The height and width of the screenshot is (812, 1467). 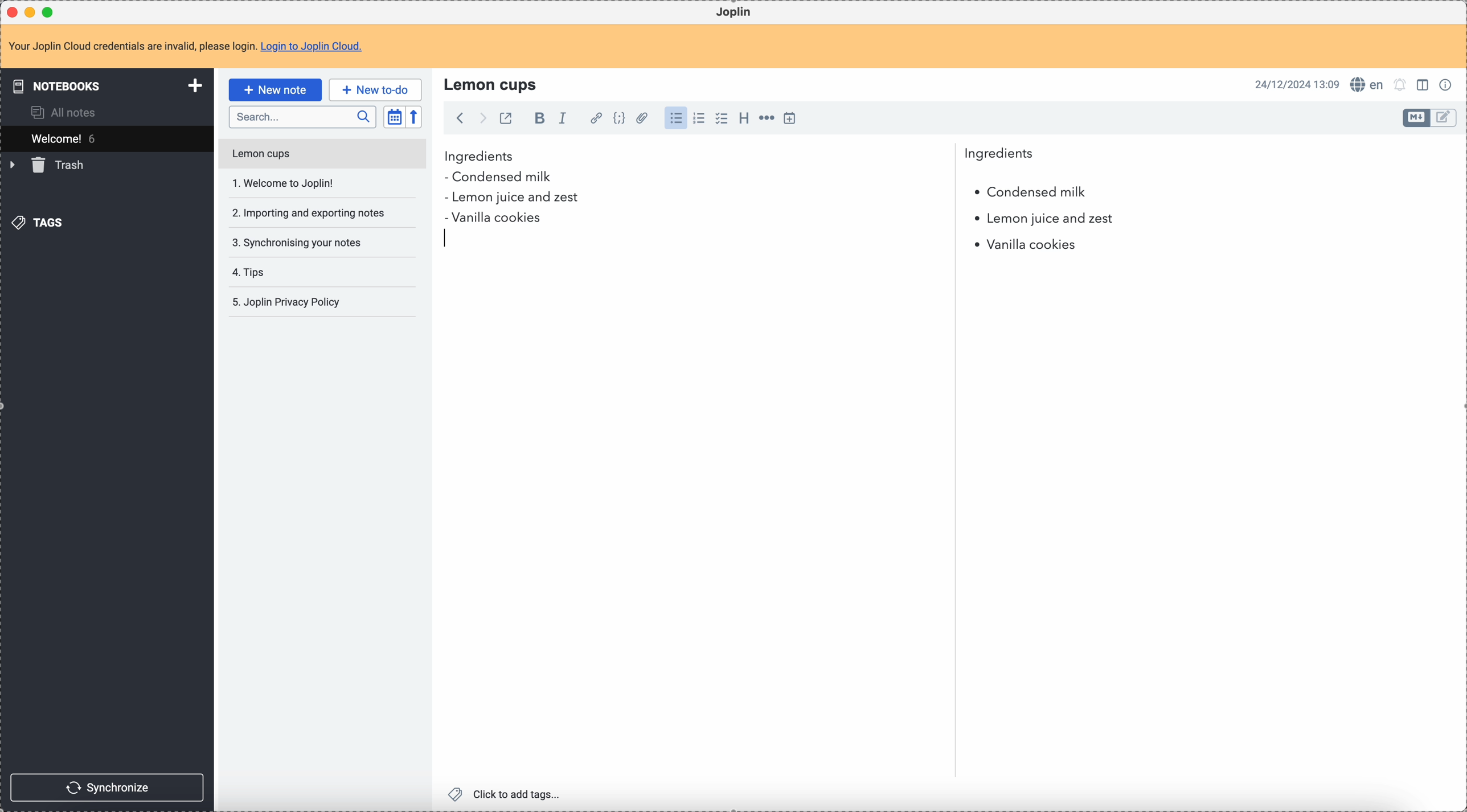 I want to click on bold, so click(x=536, y=119).